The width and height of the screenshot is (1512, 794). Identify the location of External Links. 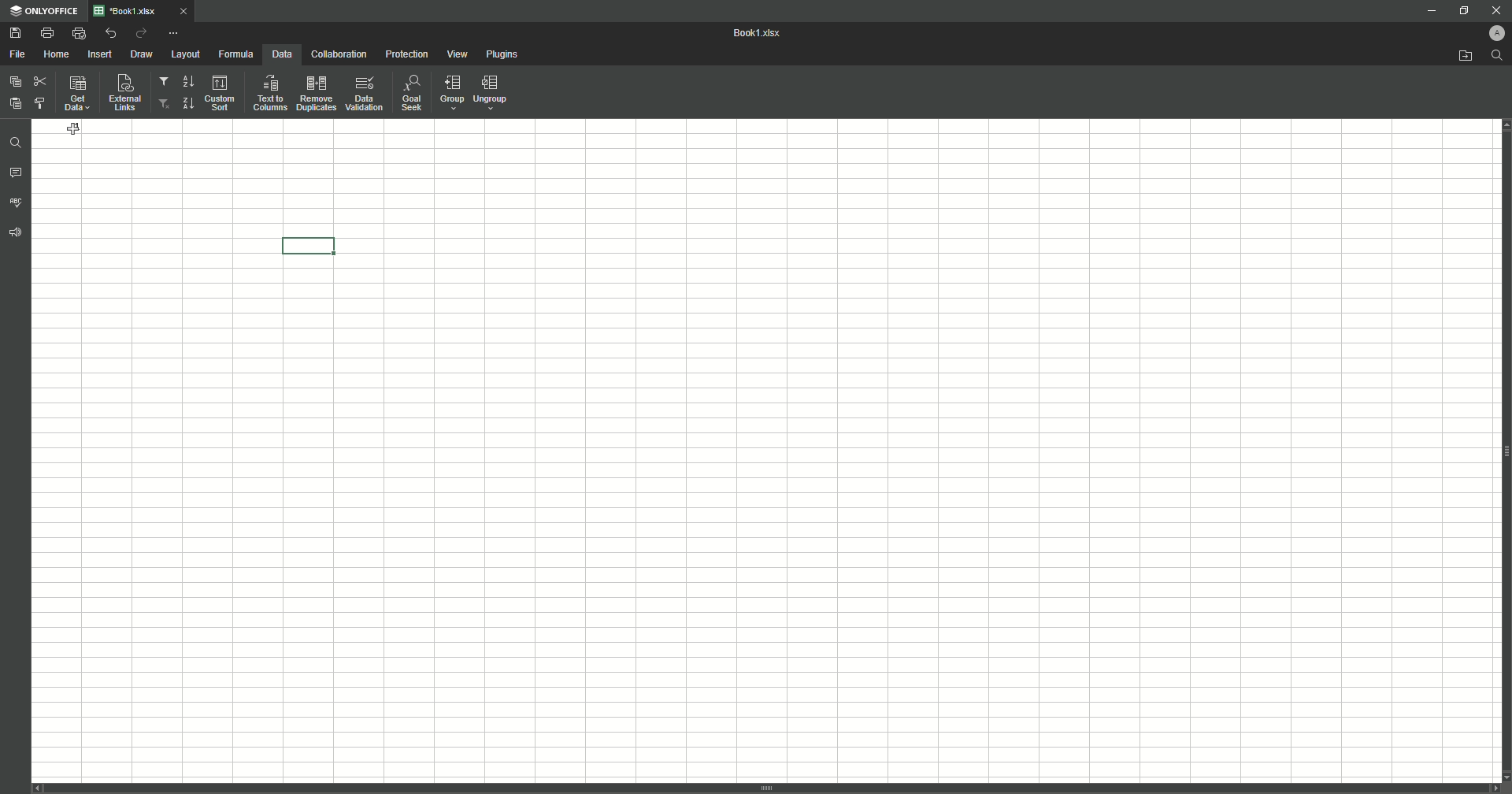
(123, 92).